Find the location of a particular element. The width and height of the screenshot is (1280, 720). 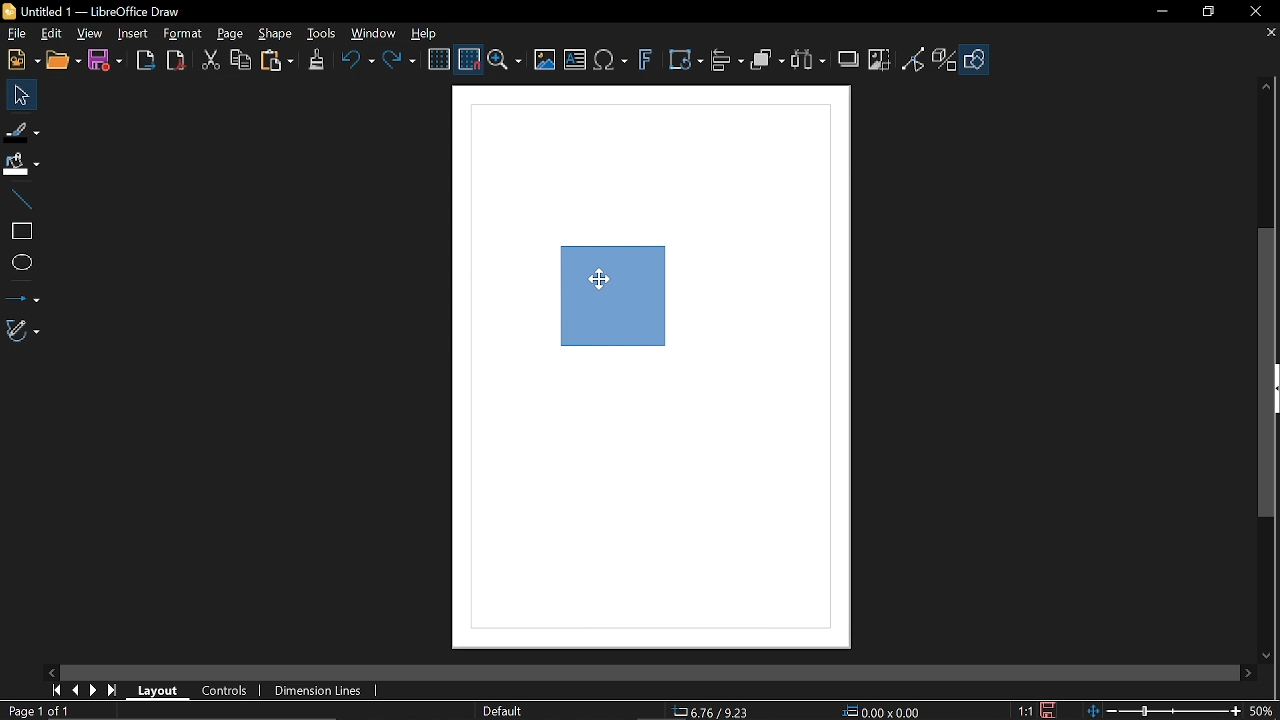

HElp is located at coordinates (422, 31).